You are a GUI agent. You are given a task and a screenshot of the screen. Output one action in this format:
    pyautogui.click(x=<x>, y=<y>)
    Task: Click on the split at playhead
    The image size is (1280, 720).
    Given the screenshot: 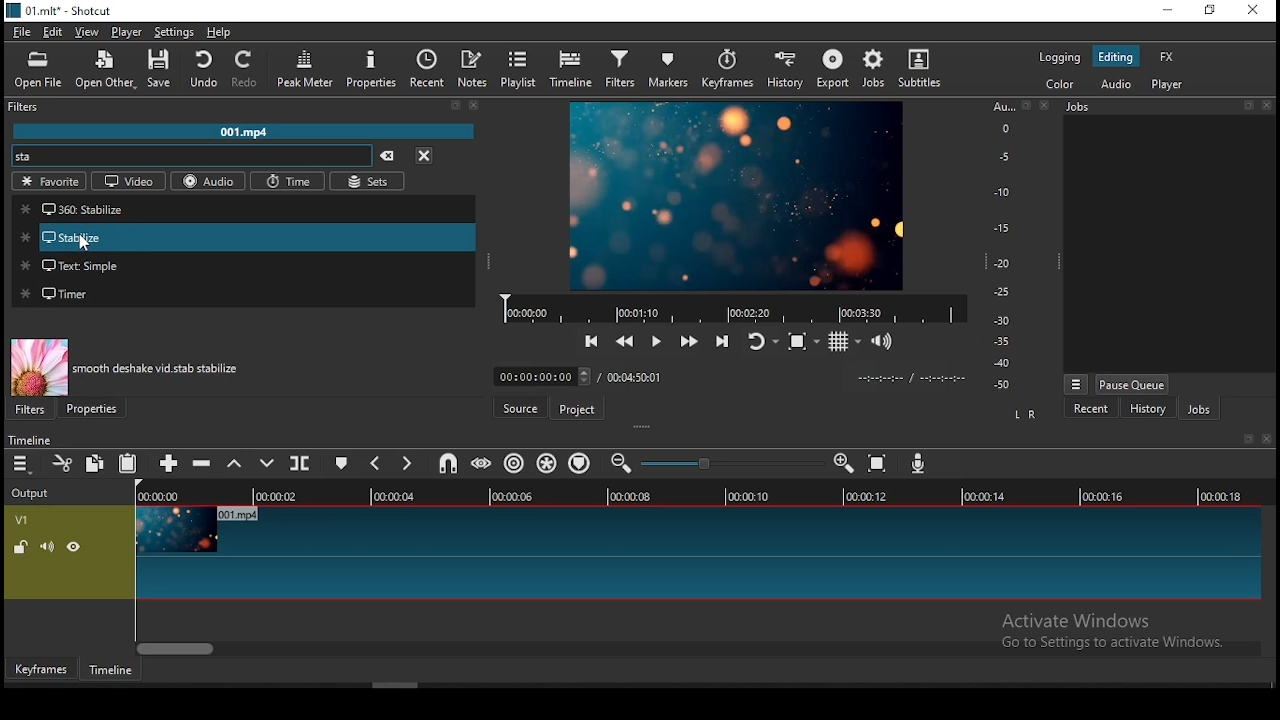 What is the action you would take?
    pyautogui.click(x=300, y=463)
    